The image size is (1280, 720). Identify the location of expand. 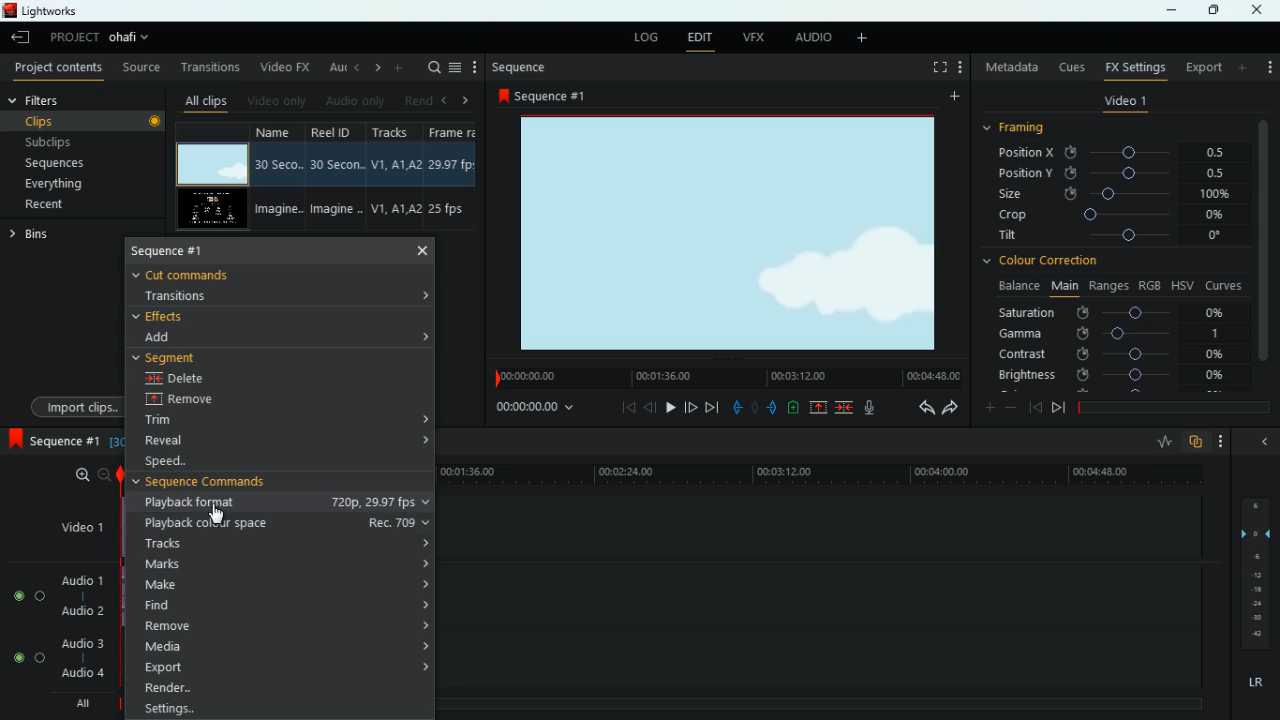
(424, 441).